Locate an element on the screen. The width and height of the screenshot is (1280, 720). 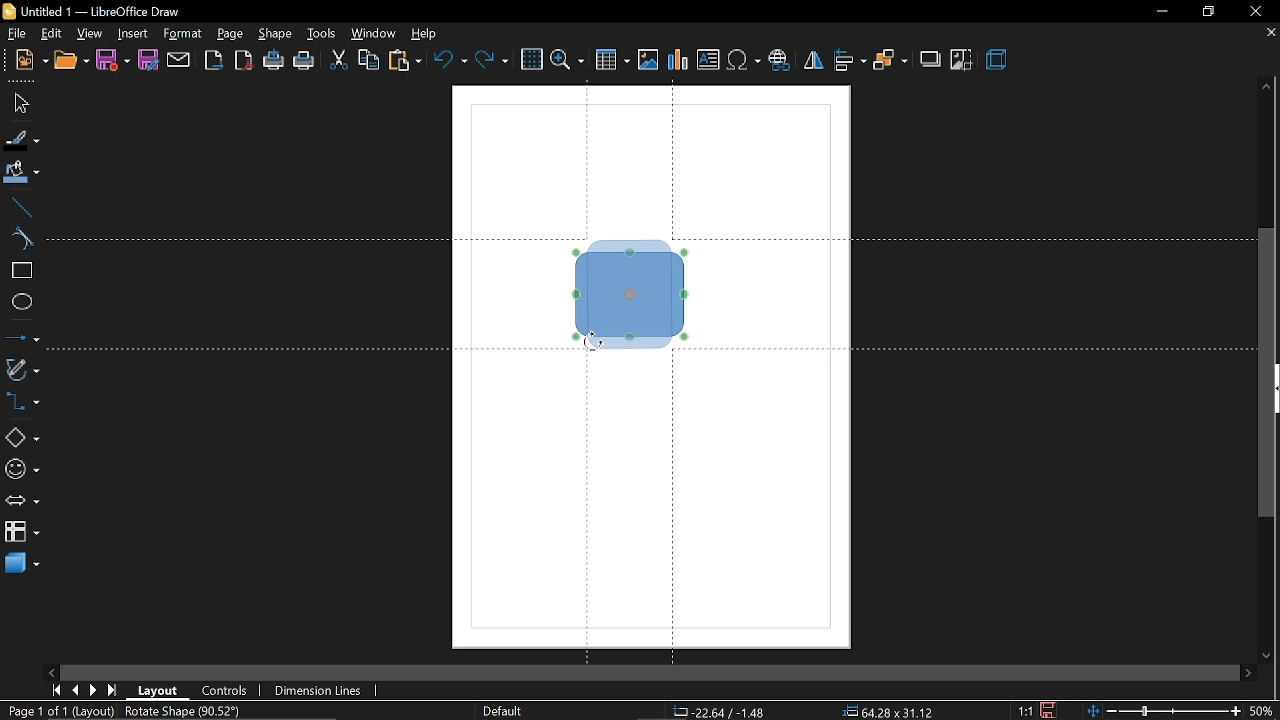
go to last page is located at coordinates (114, 691).